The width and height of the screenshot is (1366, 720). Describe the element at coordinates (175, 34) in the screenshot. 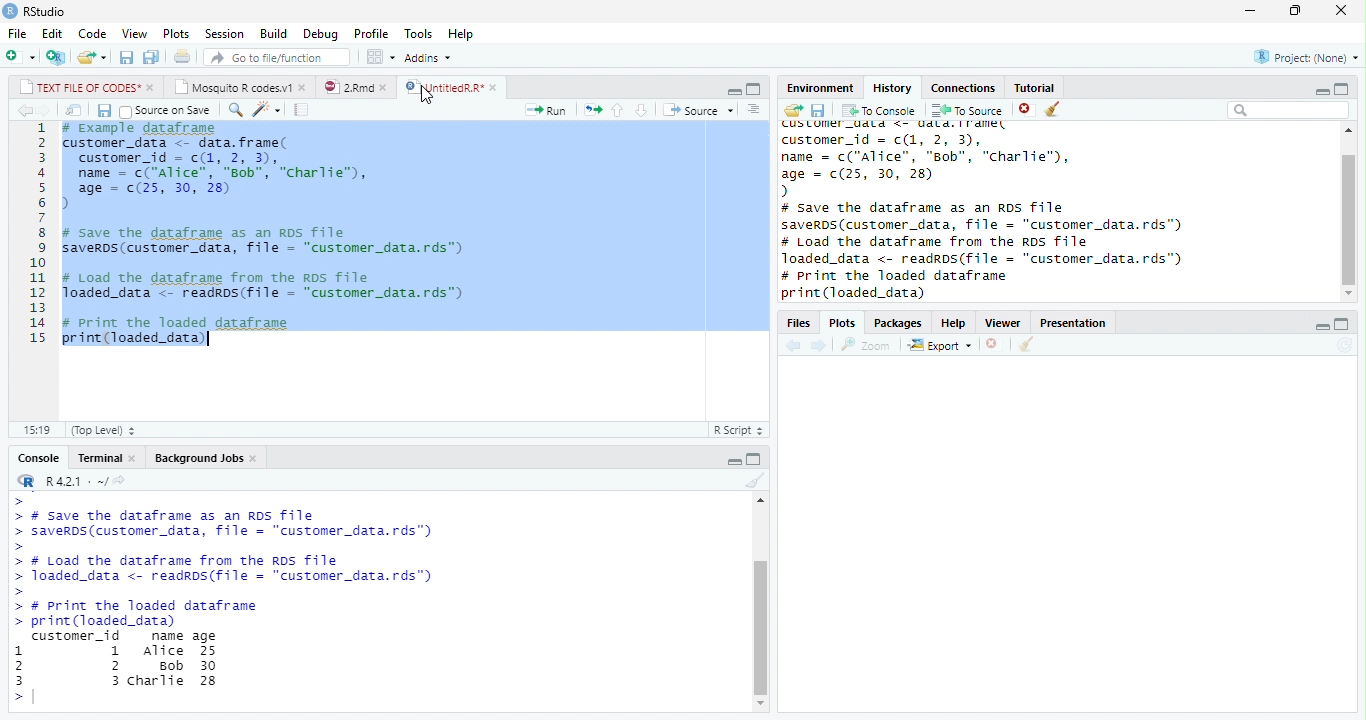

I see `Plots` at that location.